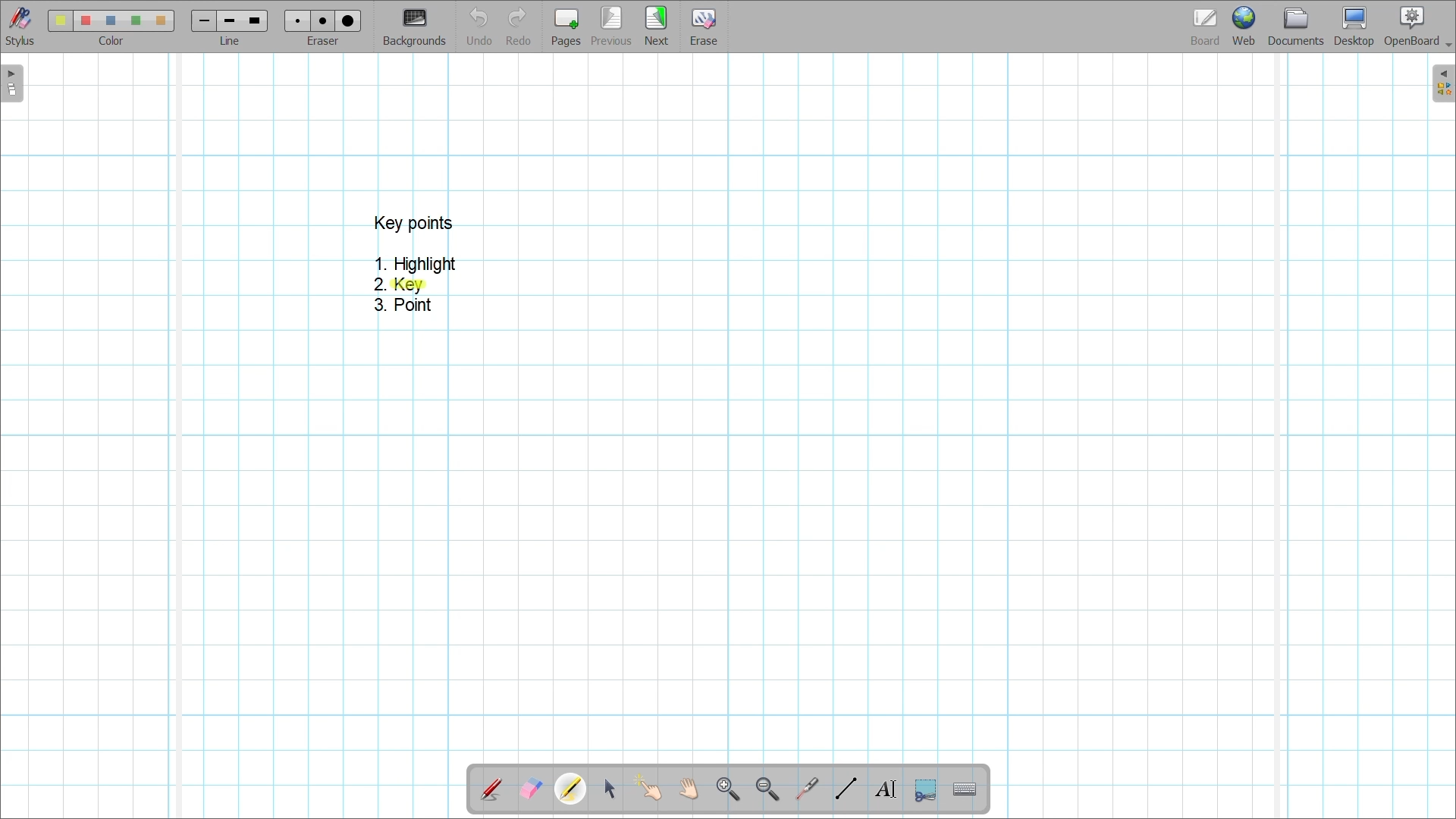 The image size is (1456, 819). Describe the element at coordinates (609, 789) in the screenshot. I see `Select and modify objects highlighted` at that location.